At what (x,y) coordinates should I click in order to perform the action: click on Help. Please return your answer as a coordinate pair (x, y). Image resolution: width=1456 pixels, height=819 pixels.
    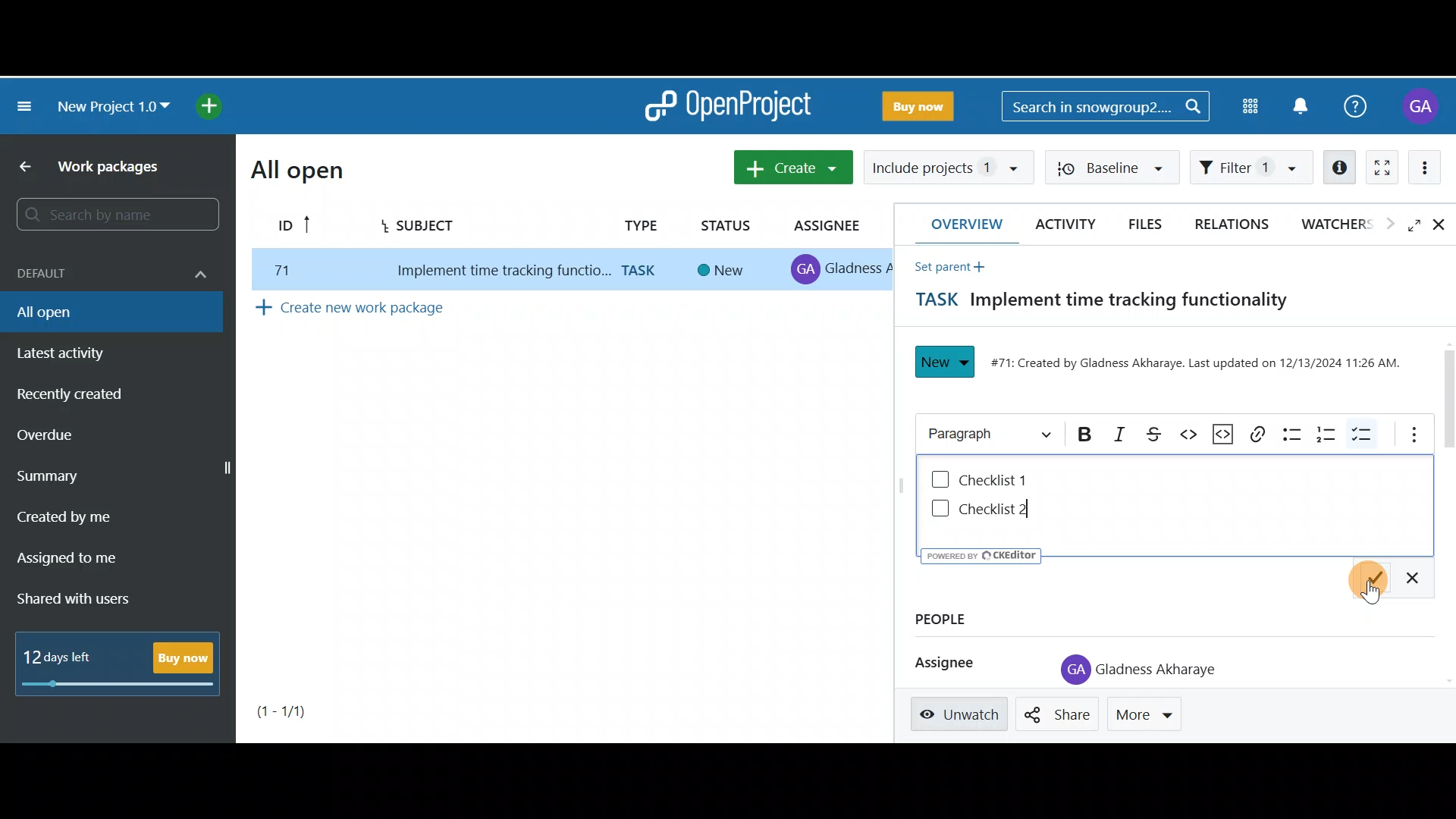
    Looking at the image, I should click on (1359, 111).